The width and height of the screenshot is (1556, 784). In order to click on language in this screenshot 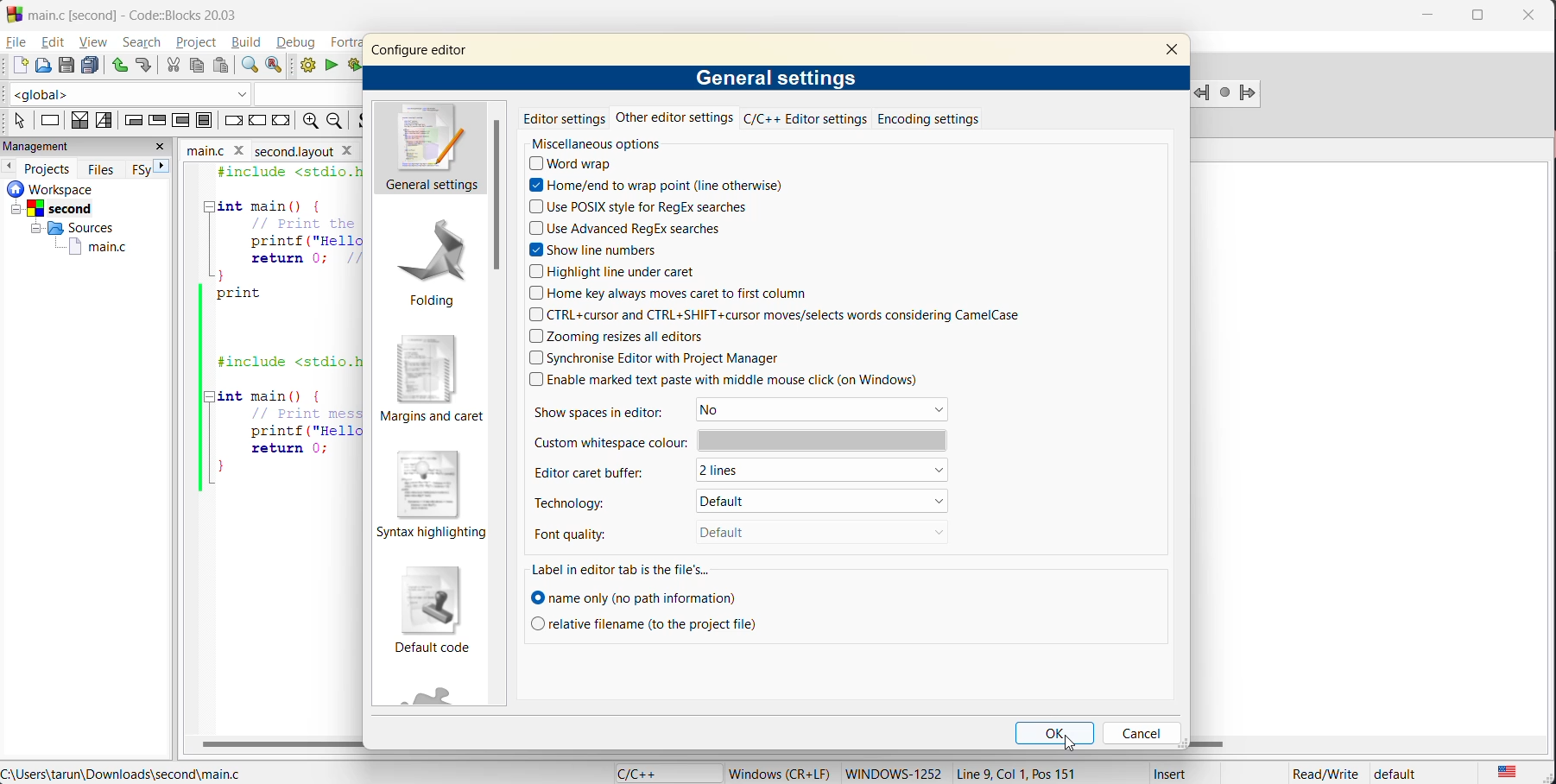, I will do `click(663, 772)`.